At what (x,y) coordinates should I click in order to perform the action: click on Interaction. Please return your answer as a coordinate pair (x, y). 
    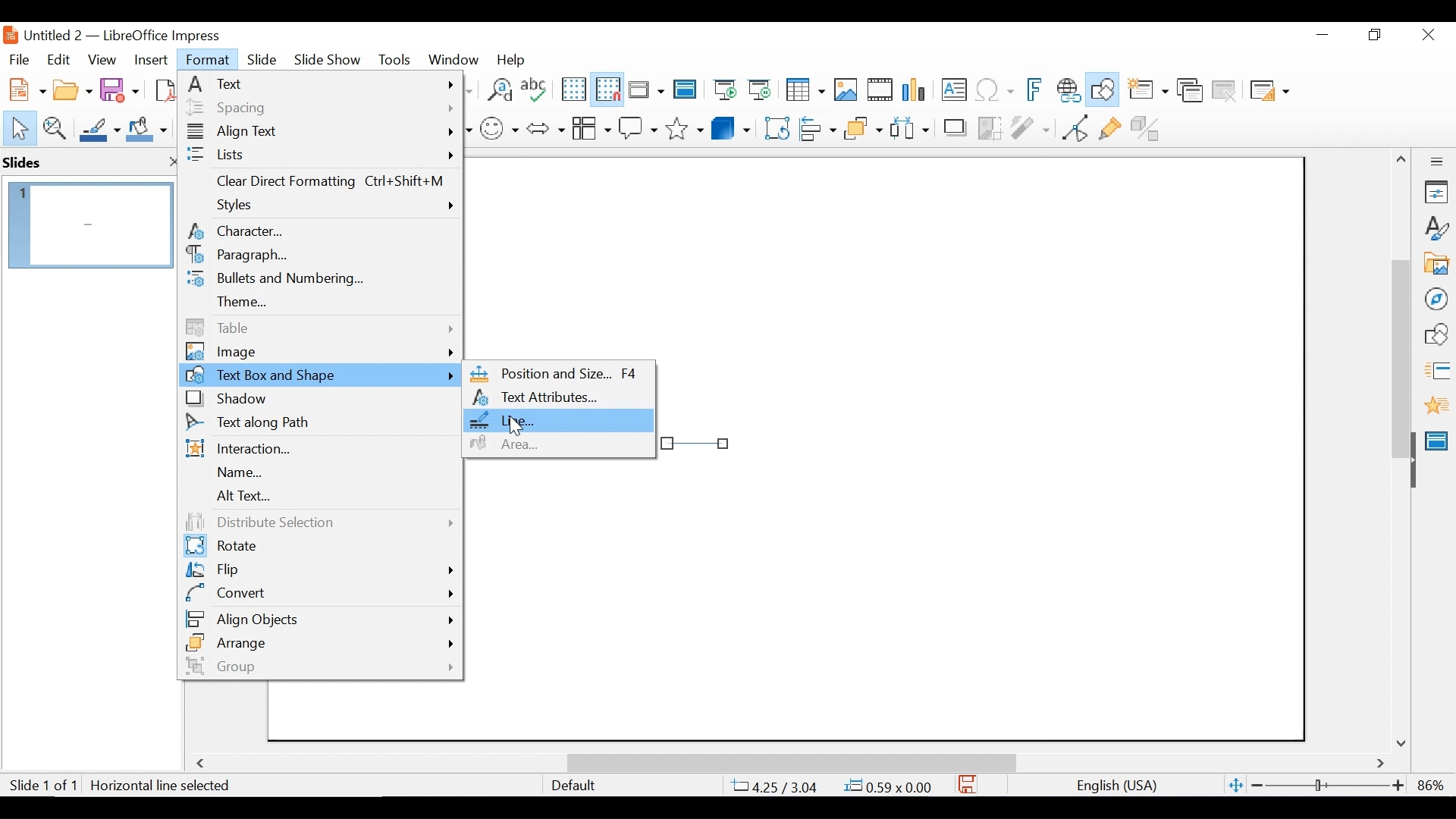
    Looking at the image, I should click on (319, 450).